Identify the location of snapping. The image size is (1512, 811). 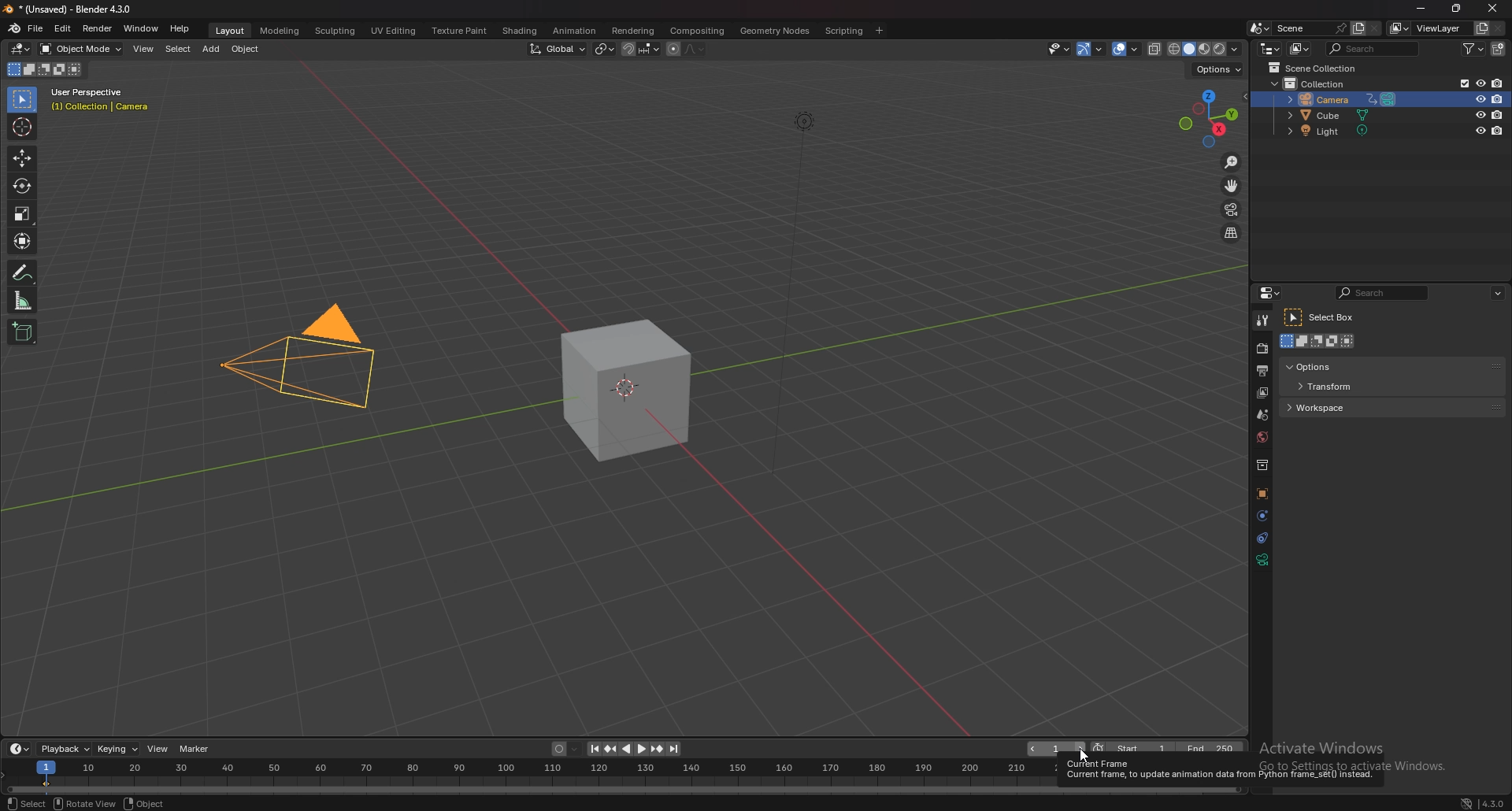
(639, 48).